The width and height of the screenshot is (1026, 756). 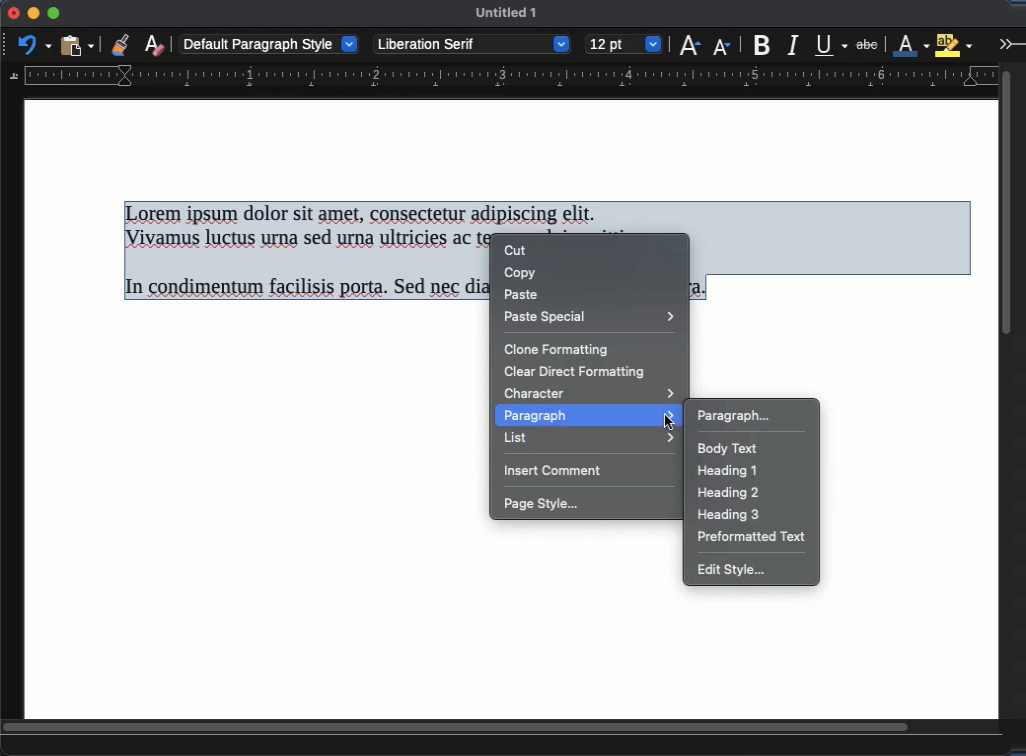 What do you see at coordinates (754, 536) in the screenshot?
I see `preformatted text` at bounding box center [754, 536].